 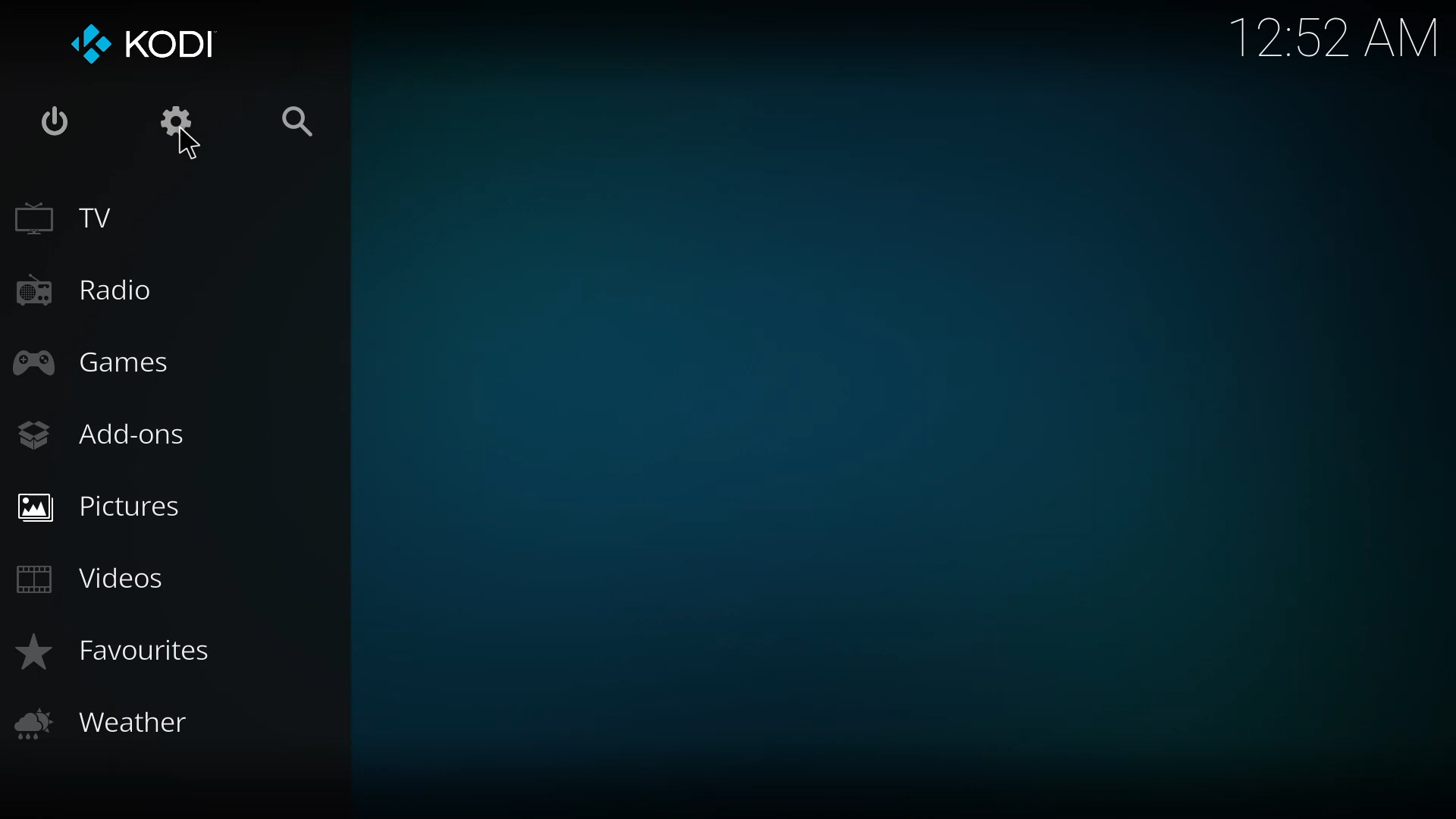 What do you see at coordinates (74, 220) in the screenshot?
I see `tv` at bounding box center [74, 220].